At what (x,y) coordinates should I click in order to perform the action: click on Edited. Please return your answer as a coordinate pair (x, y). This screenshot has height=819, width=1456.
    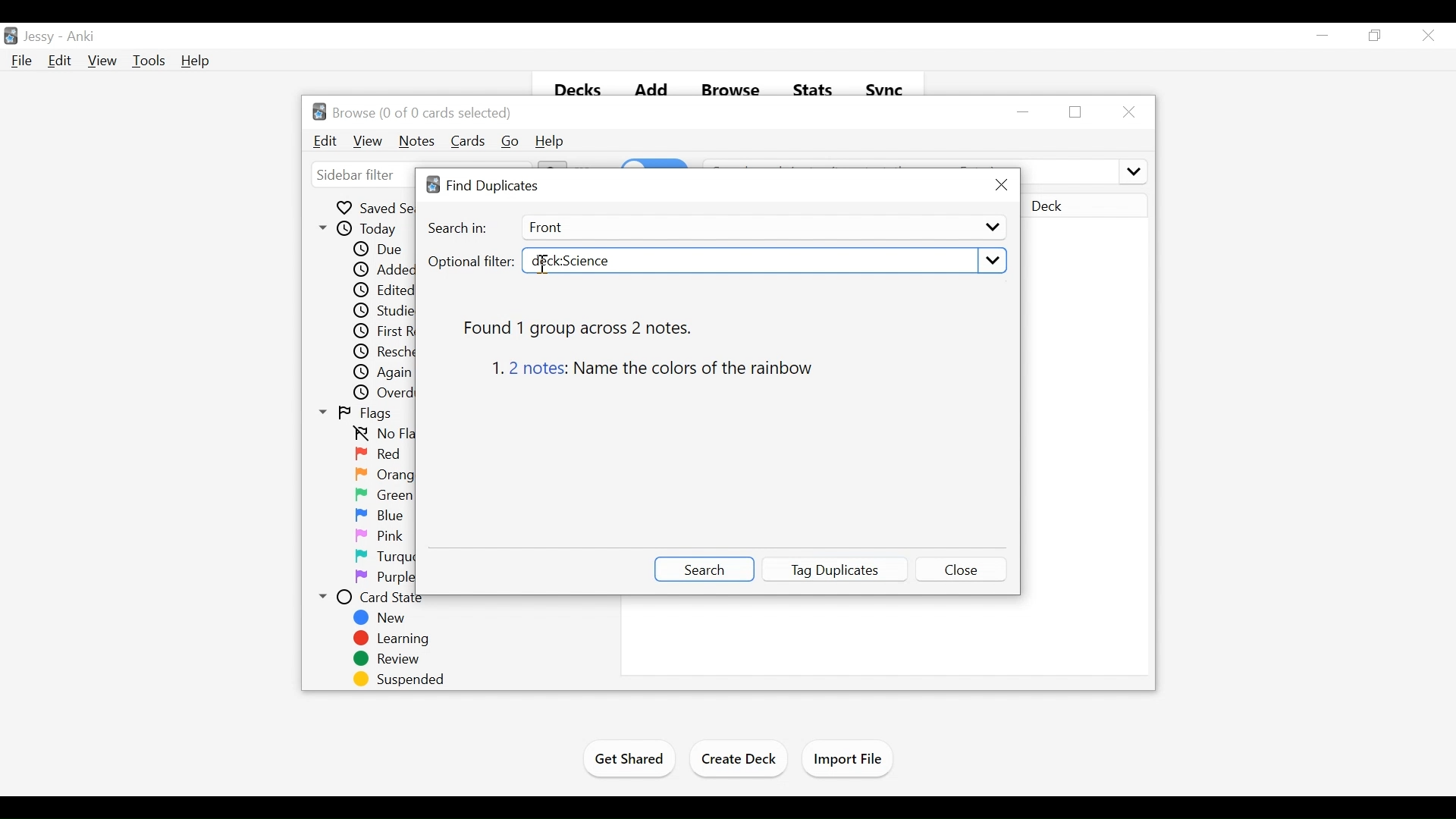
    Looking at the image, I should click on (384, 291).